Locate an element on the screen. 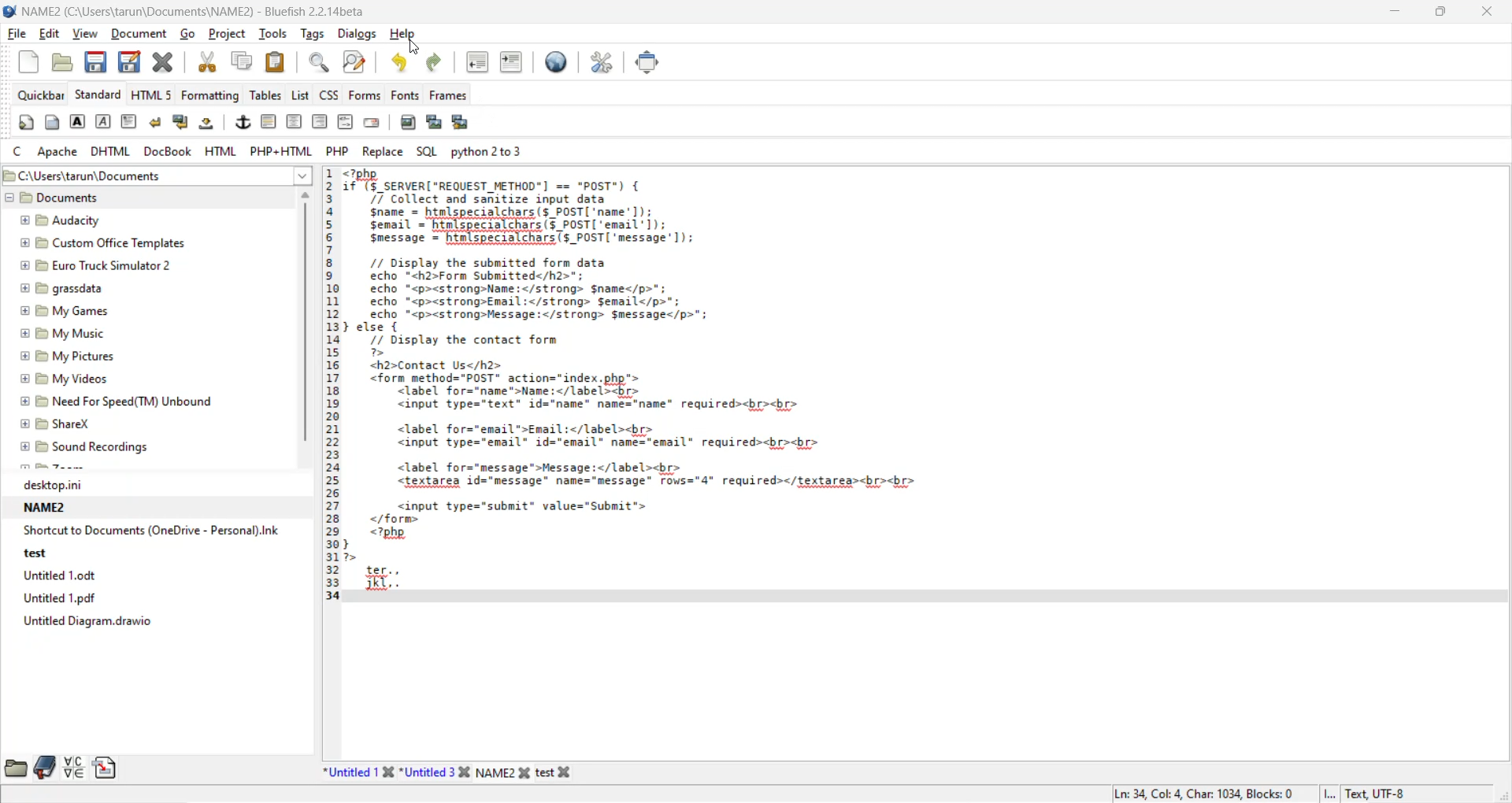 Image resolution: width=1512 pixels, height=803 pixels. bookmarks is located at coordinates (46, 766).